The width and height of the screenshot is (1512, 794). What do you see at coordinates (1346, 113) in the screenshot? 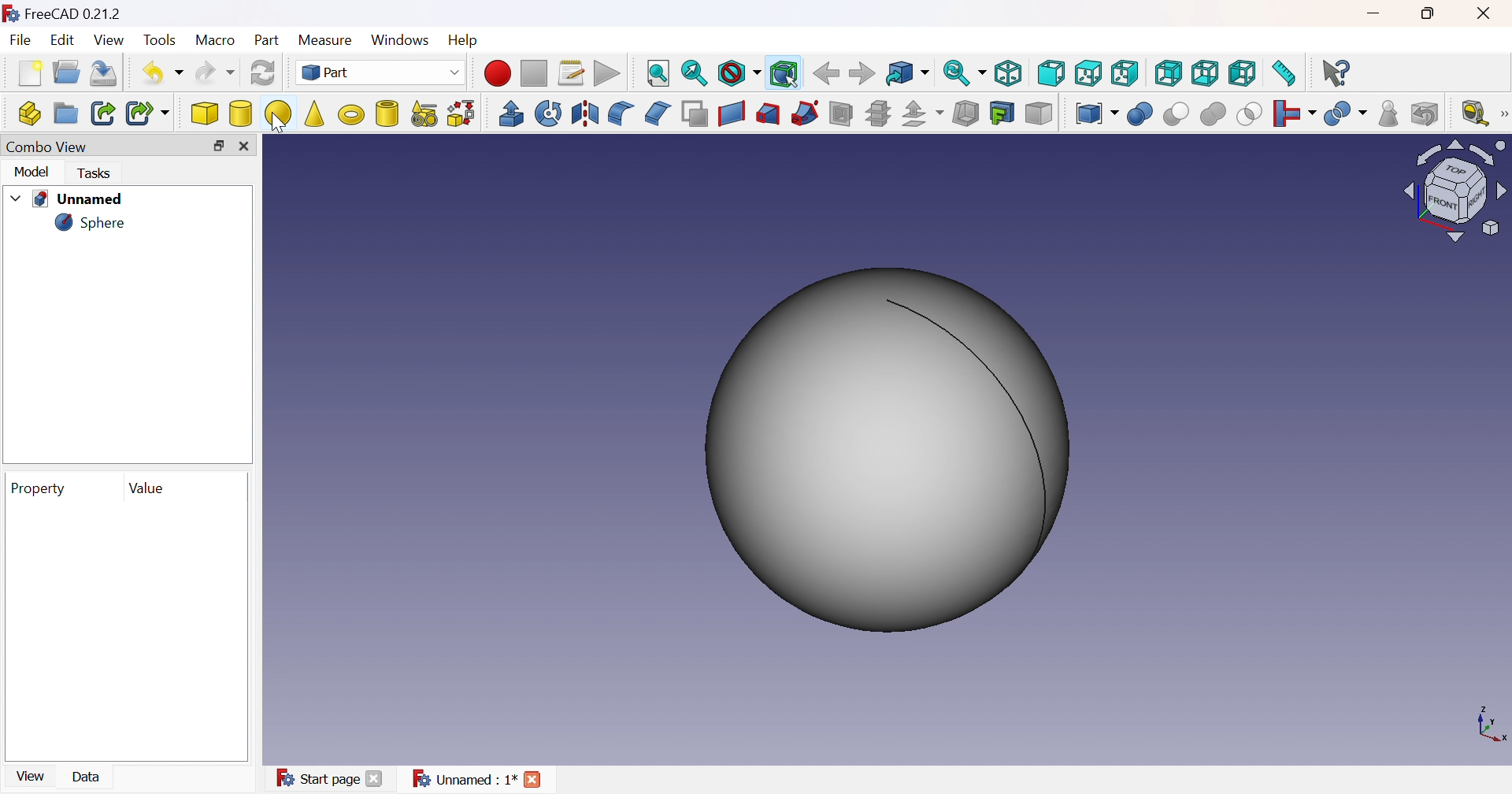
I see `Split objects` at bounding box center [1346, 113].